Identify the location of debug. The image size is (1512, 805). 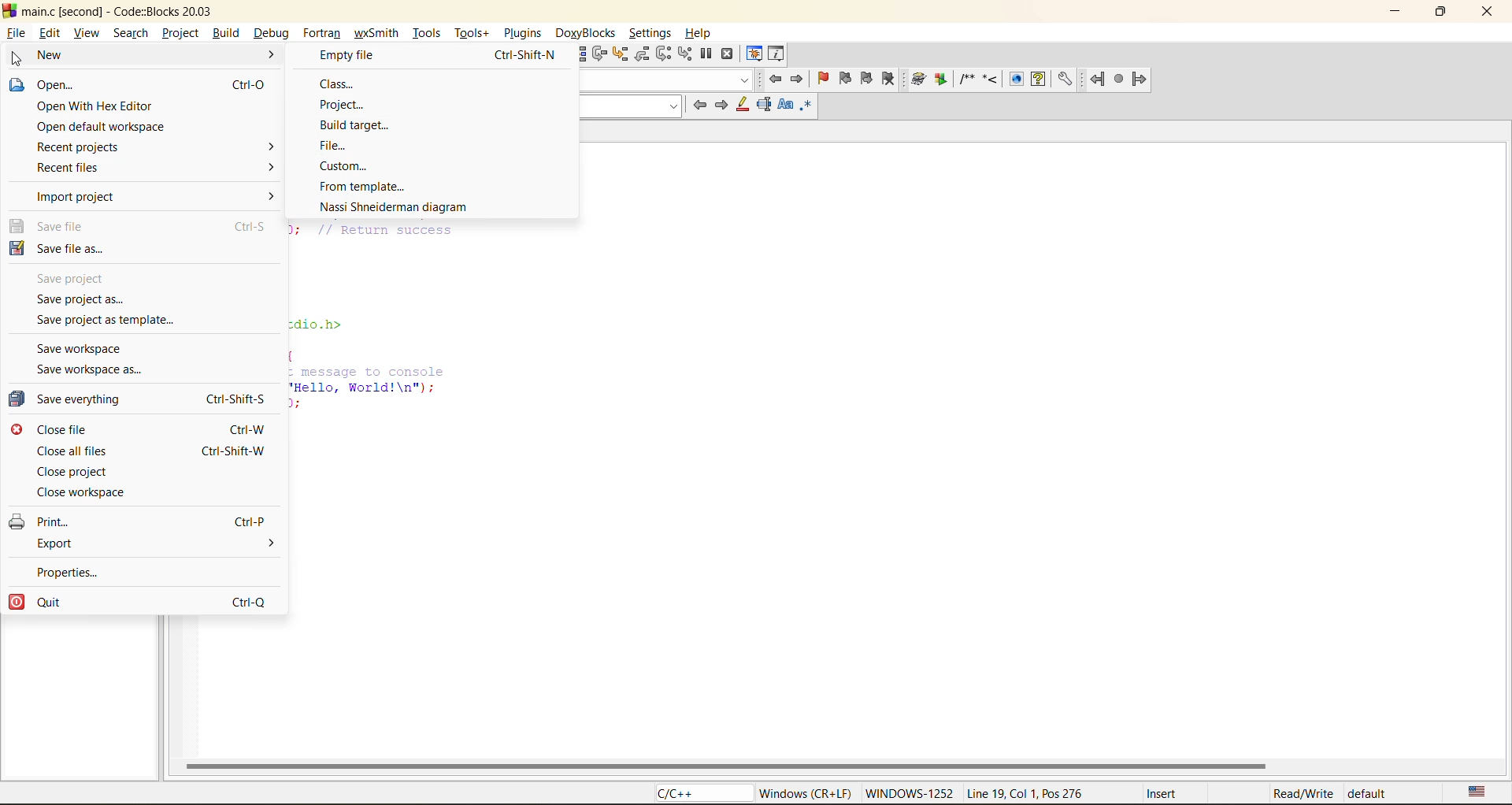
(272, 33).